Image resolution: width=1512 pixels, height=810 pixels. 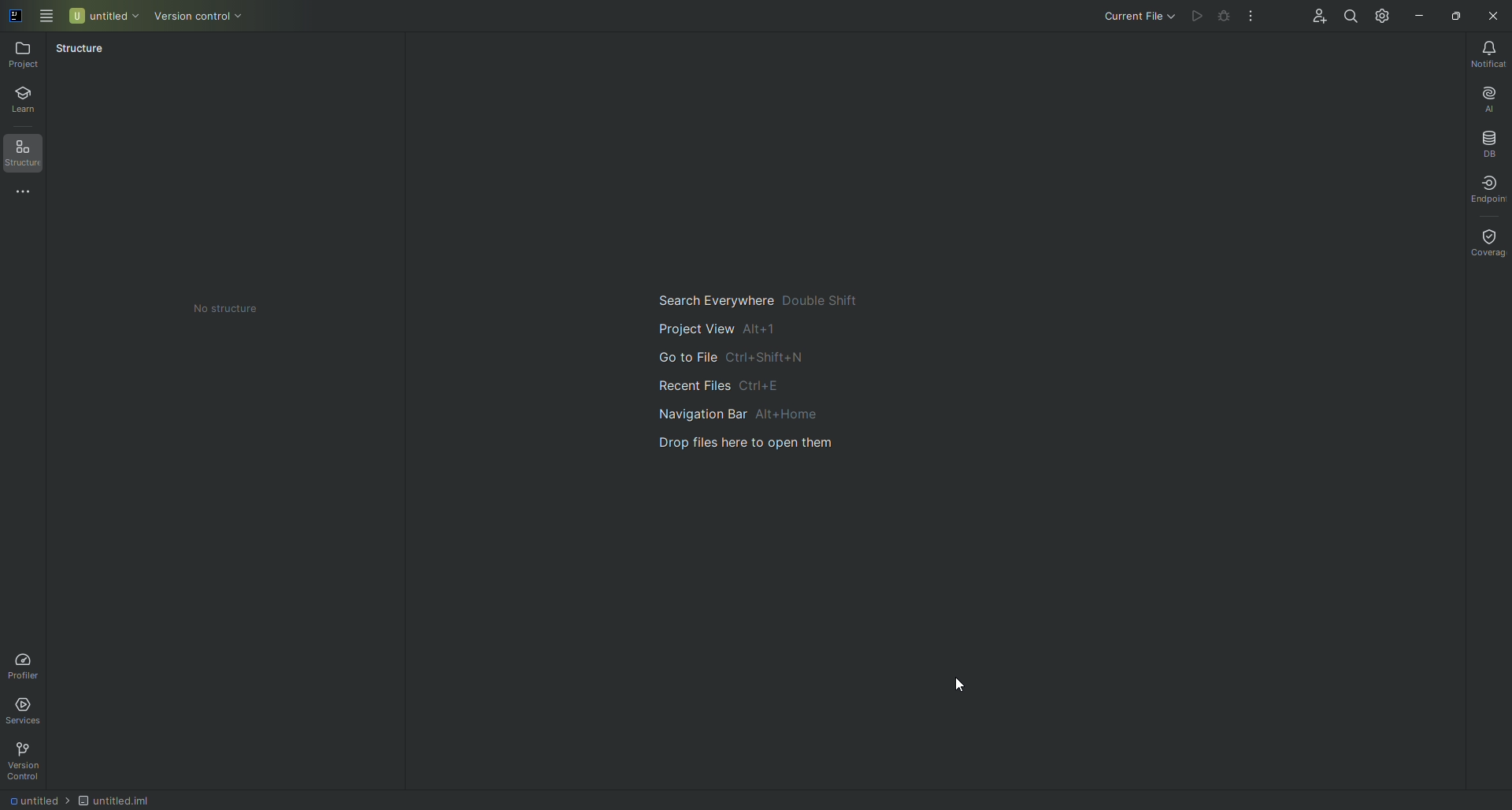 What do you see at coordinates (28, 96) in the screenshot?
I see `Learn` at bounding box center [28, 96].